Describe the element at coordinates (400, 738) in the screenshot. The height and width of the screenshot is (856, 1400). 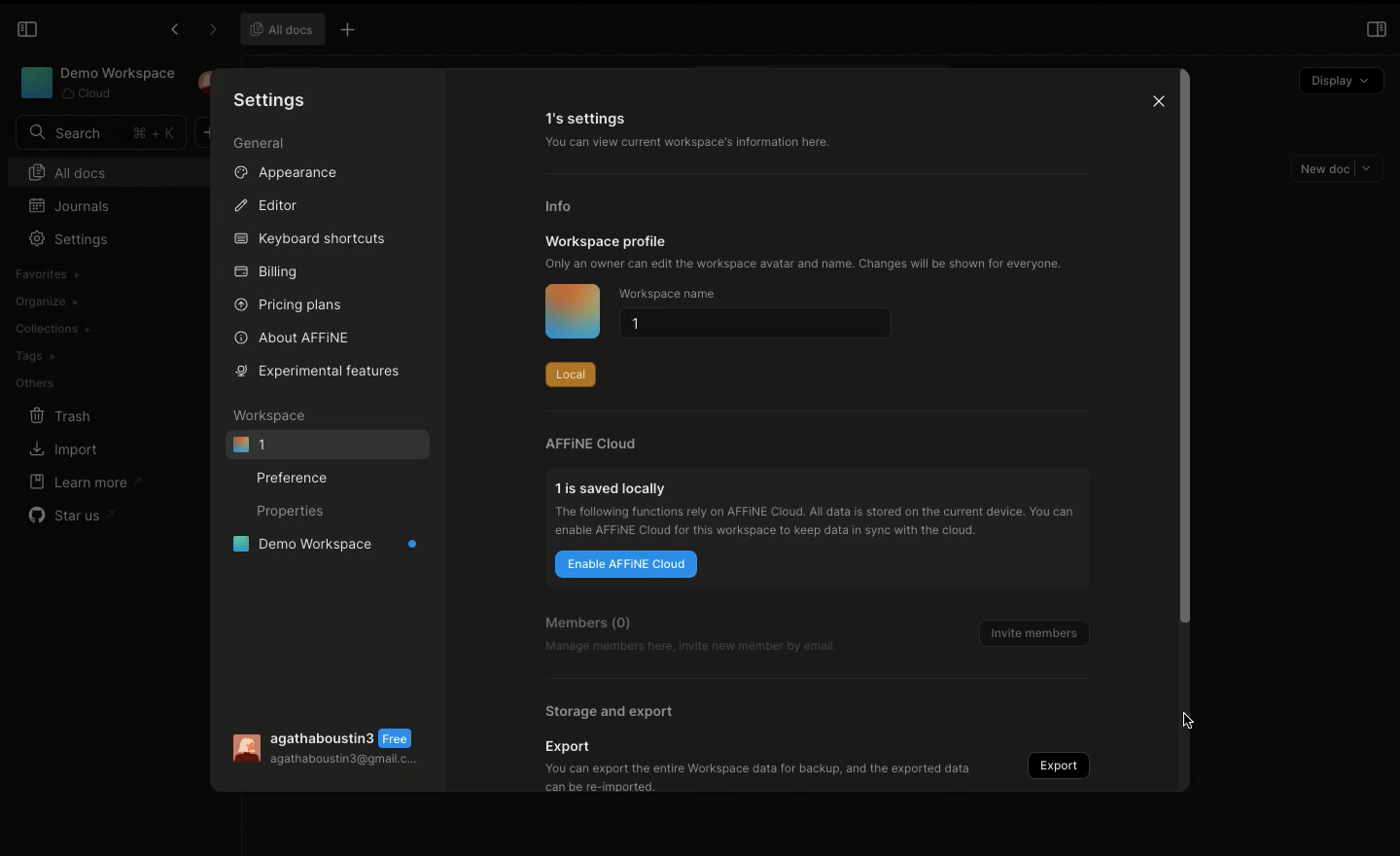
I see `Free` at that location.